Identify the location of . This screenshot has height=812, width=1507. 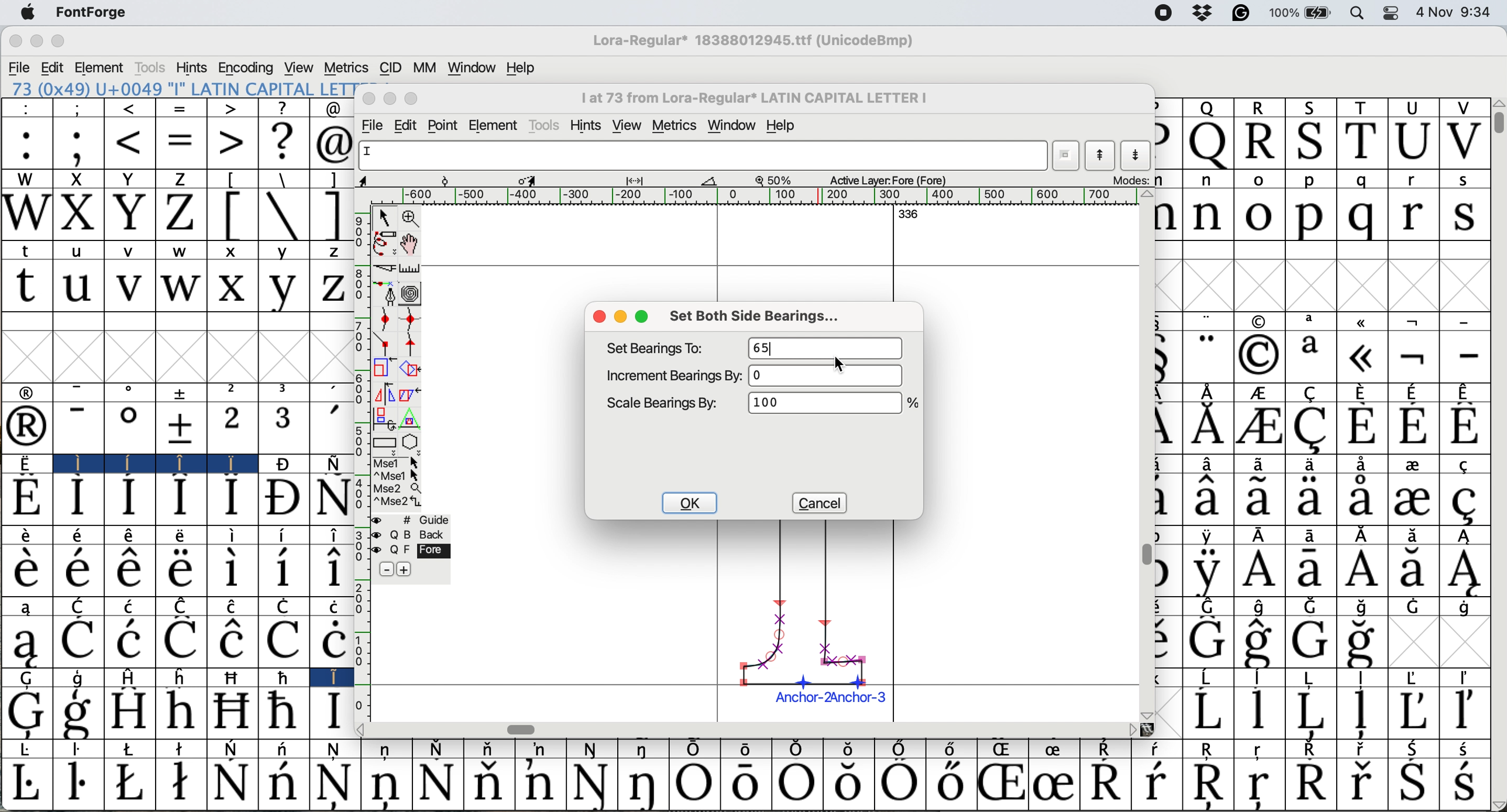
(368, 730).